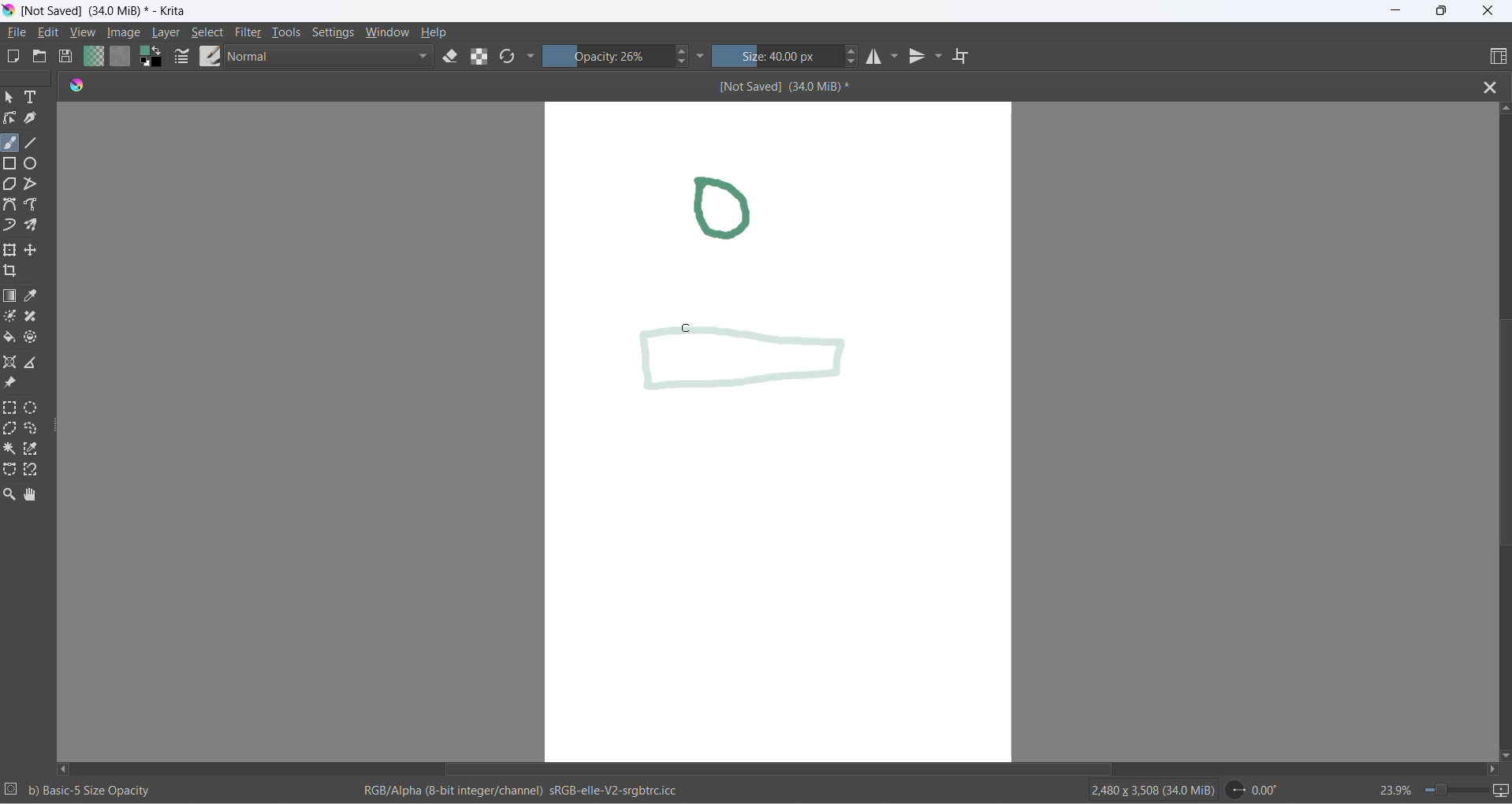  I want to click on vertical mirror tools settings dropdown button, so click(940, 58).